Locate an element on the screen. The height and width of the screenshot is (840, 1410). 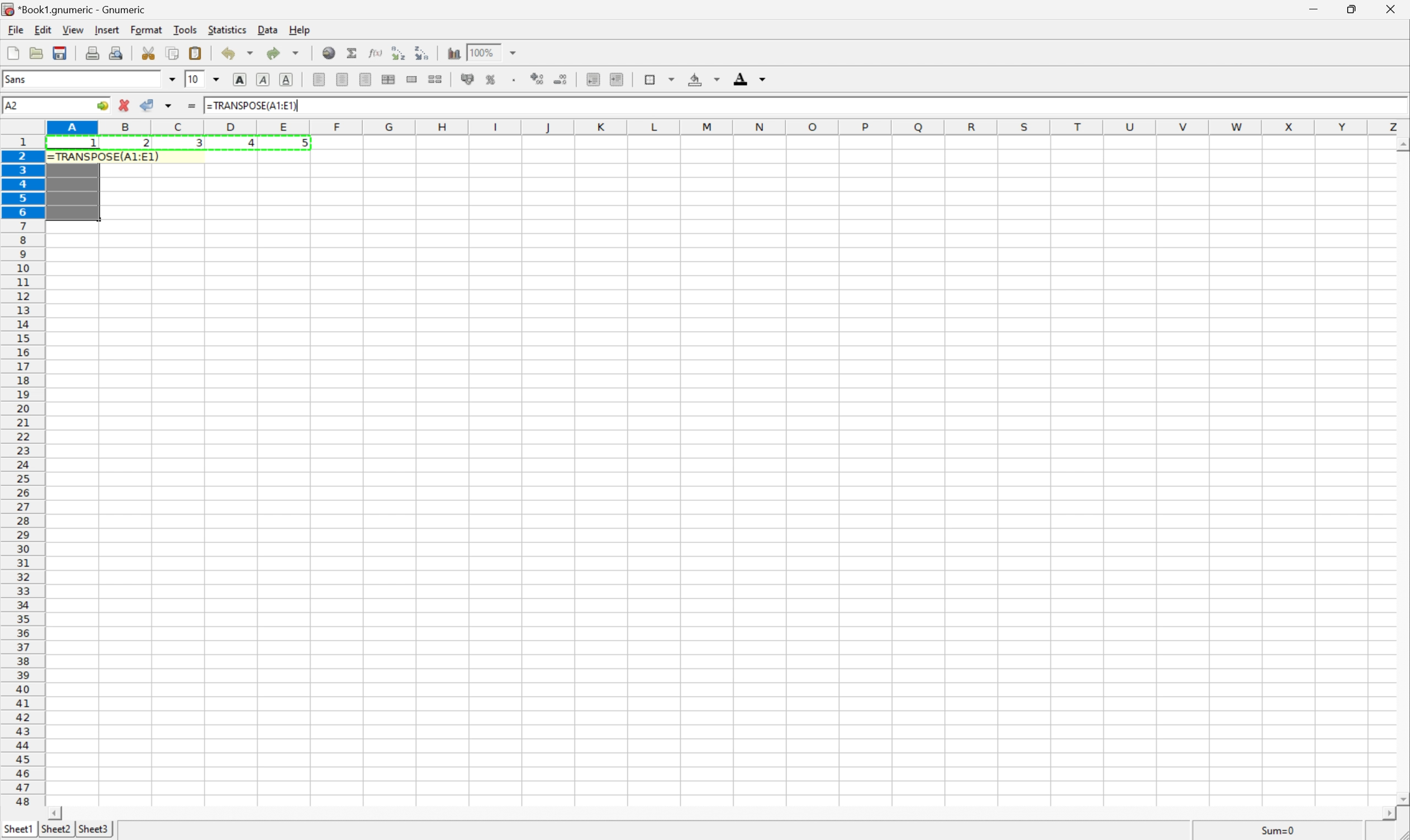
format is located at coordinates (144, 30).